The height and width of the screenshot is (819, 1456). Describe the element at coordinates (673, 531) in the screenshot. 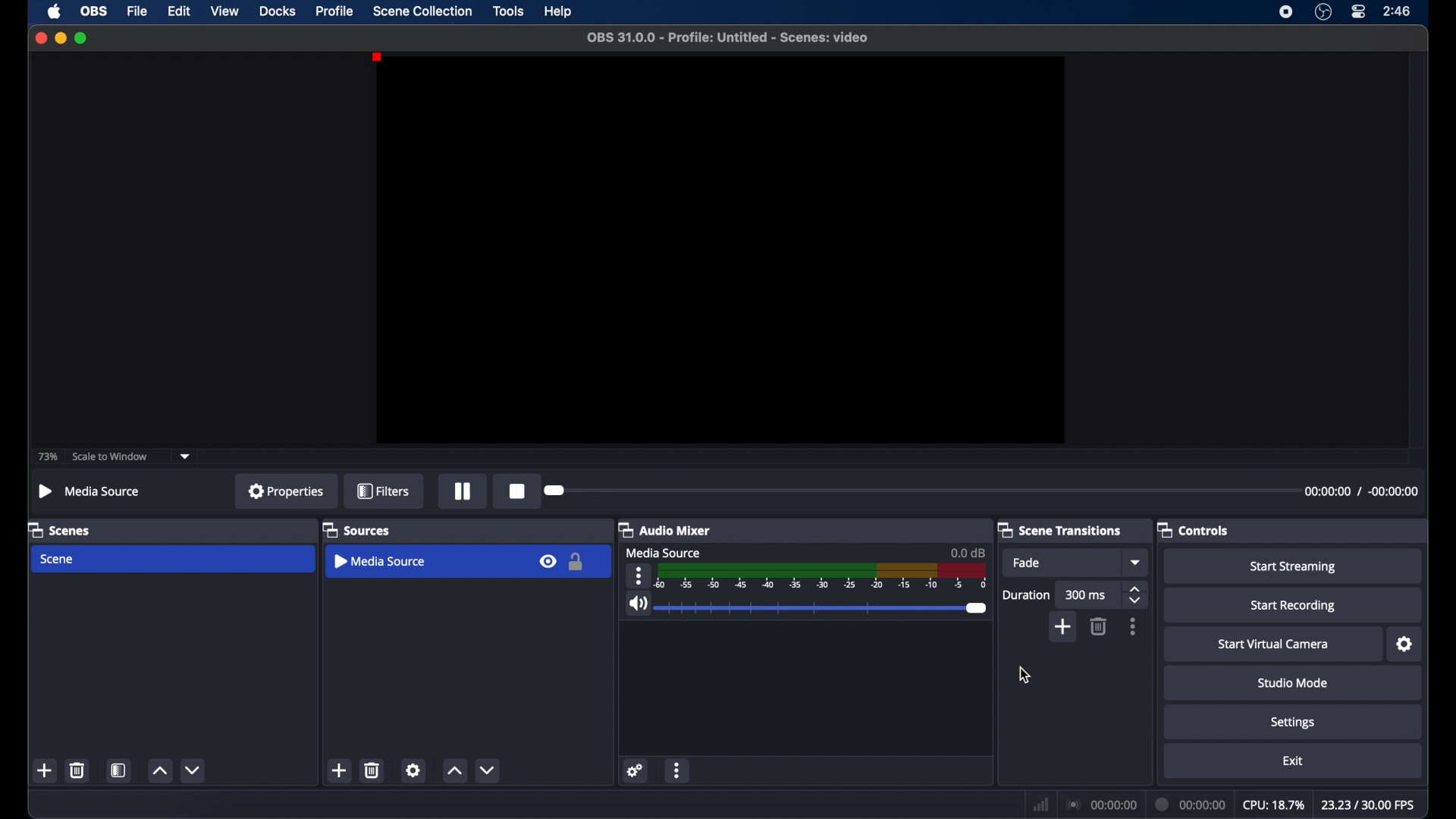

I see `Audio Mixer` at that location.